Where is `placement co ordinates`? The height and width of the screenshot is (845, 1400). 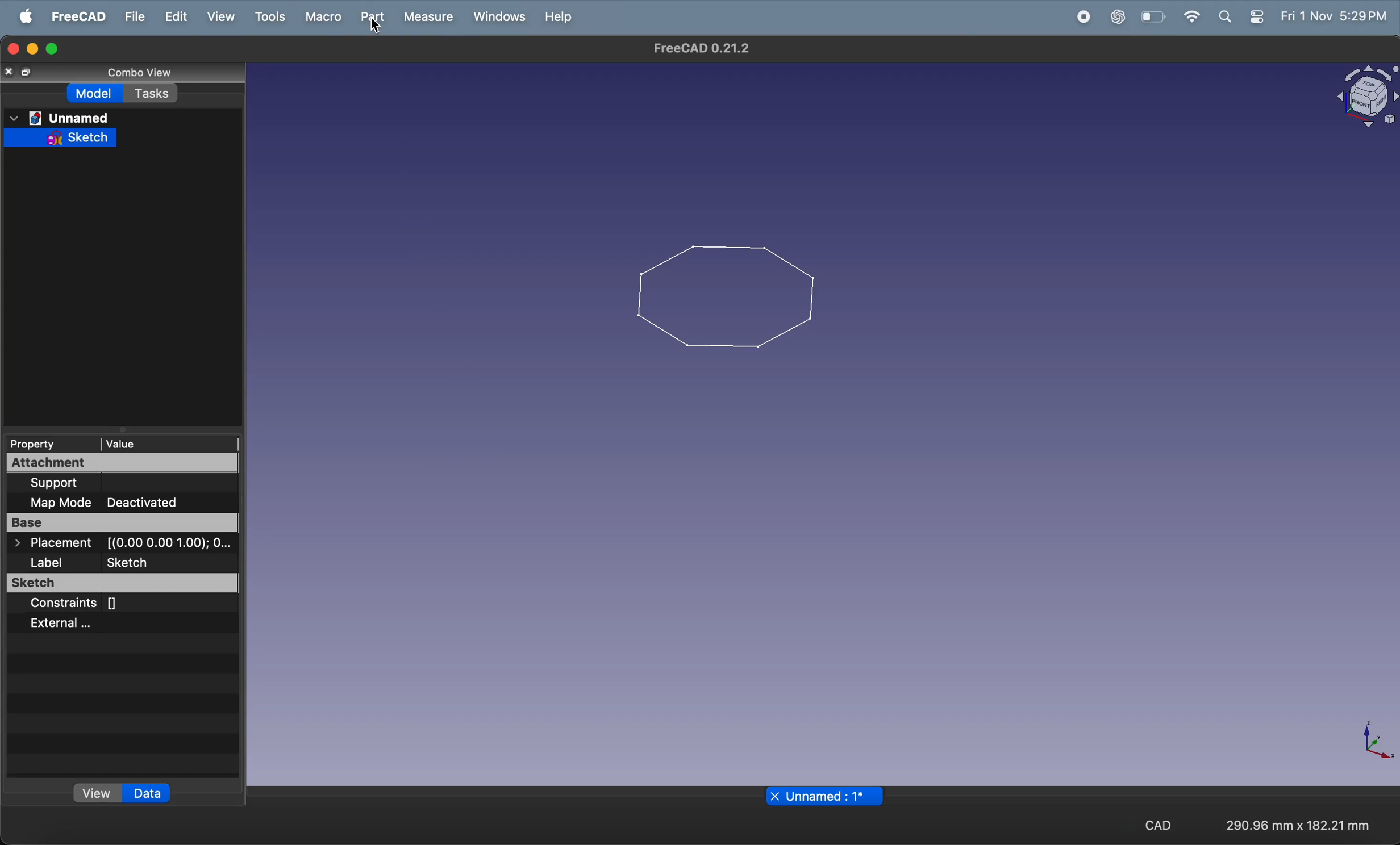
placement co ordinates is located at coordinates (122, 545).